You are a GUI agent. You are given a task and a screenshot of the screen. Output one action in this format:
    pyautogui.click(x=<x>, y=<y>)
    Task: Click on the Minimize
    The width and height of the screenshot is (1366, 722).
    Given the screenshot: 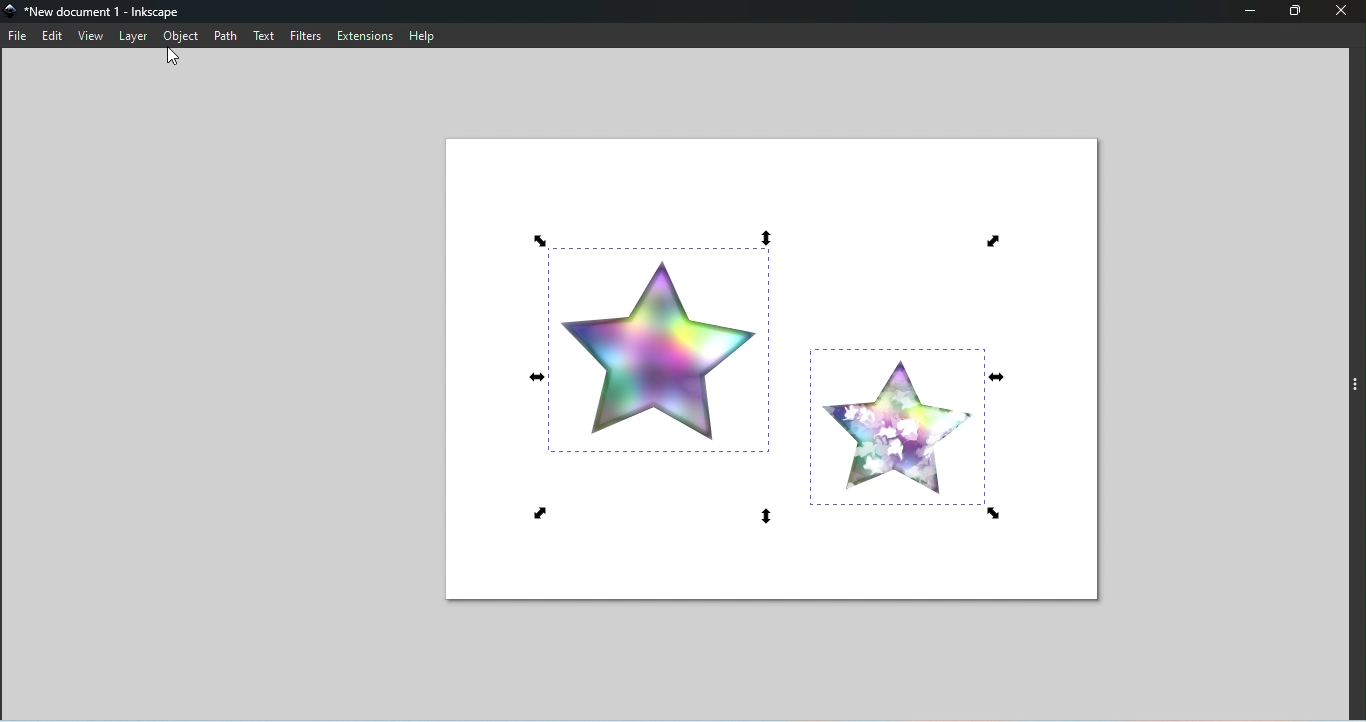 What is the action you would take?
    pyautogui.click(x=1251, y=11)
    